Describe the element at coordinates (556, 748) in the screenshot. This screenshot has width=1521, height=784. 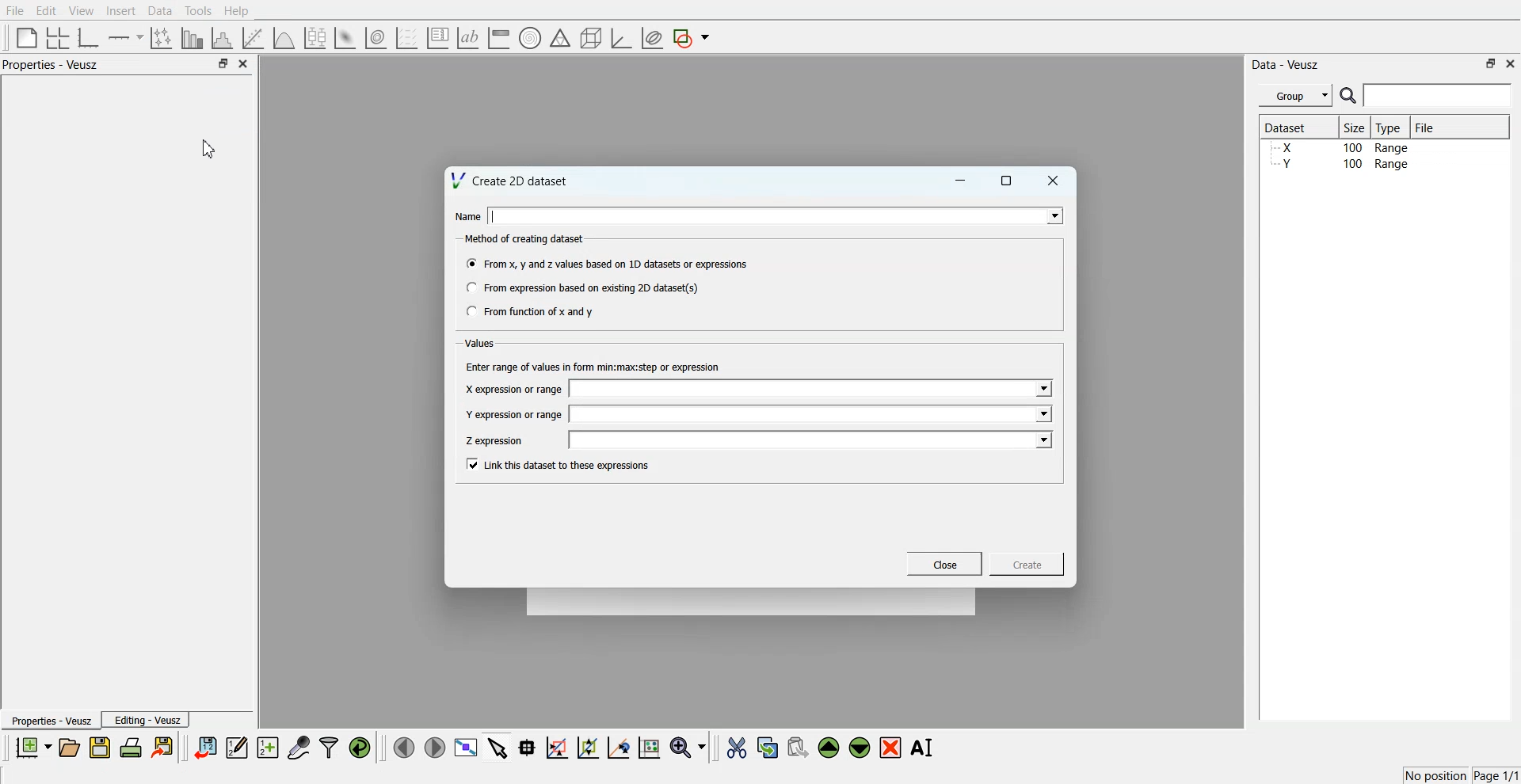
I see `Draw a rectangle to zoom graph axes` at that location.